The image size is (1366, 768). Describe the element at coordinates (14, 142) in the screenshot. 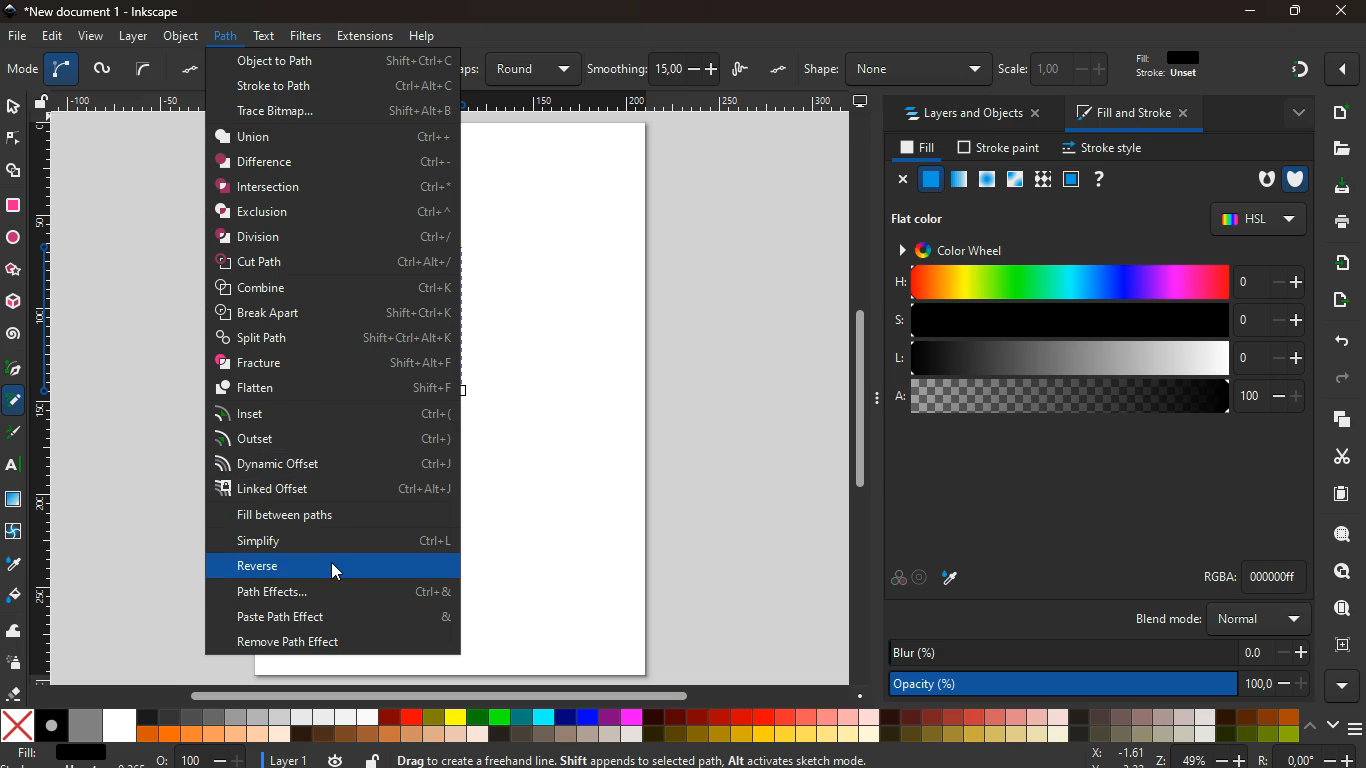

I see `edge` at that location.